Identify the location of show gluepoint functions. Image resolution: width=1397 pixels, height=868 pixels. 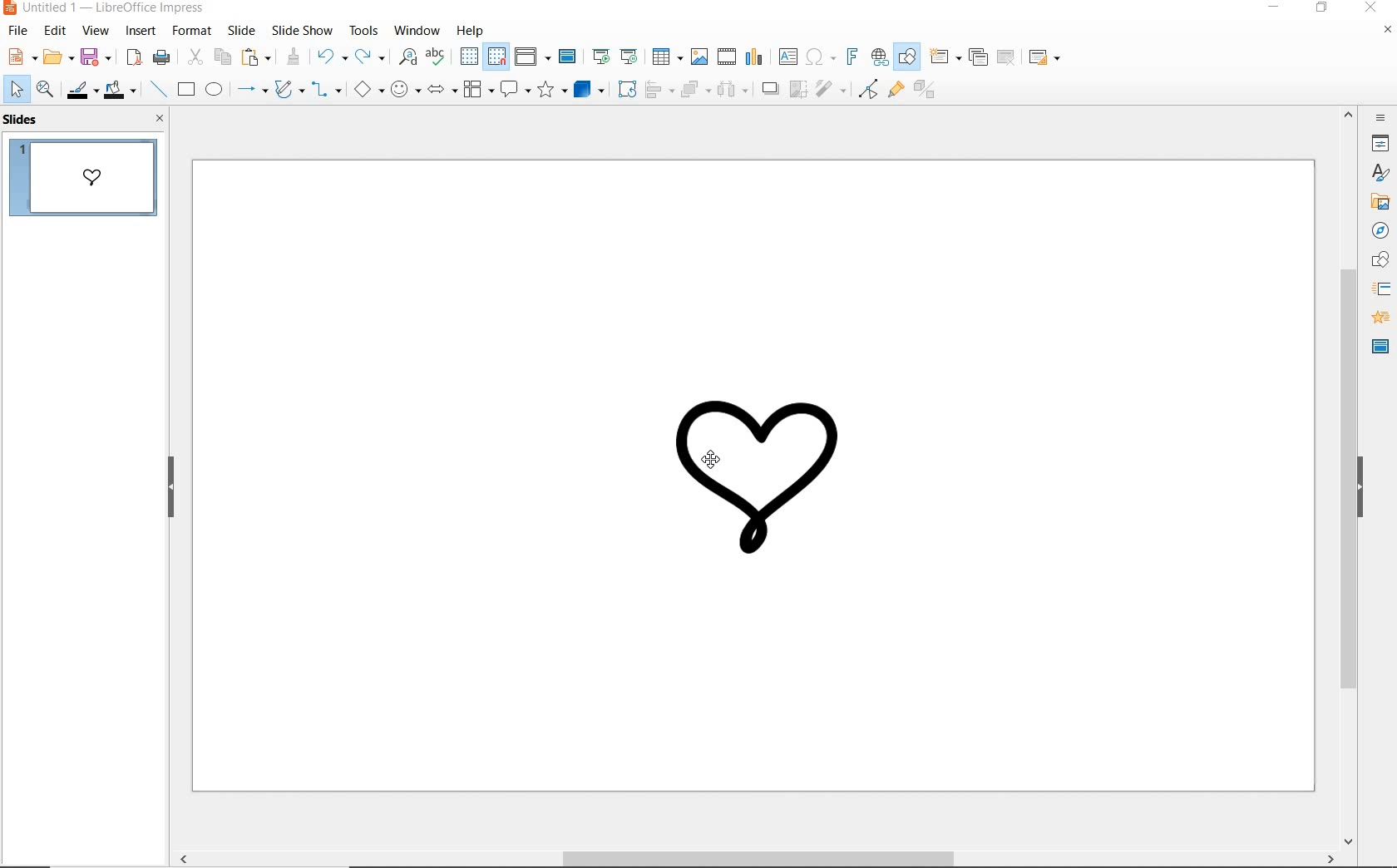
(895, 89).